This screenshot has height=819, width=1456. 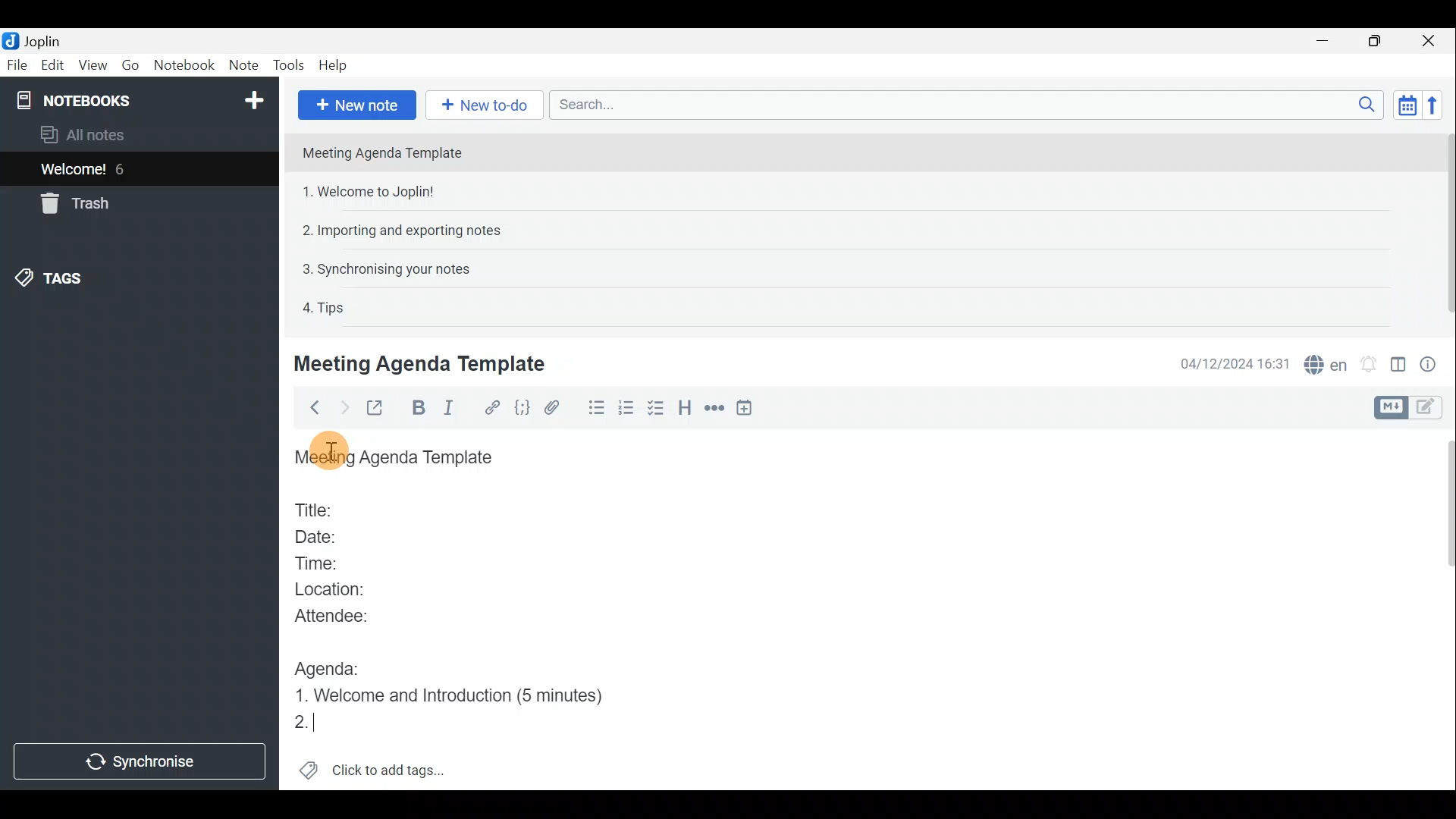 What do you see at coordinates (1430, 105) in the screenshot?
I see `Reverse sort order` at bounding box center [1430, 105].